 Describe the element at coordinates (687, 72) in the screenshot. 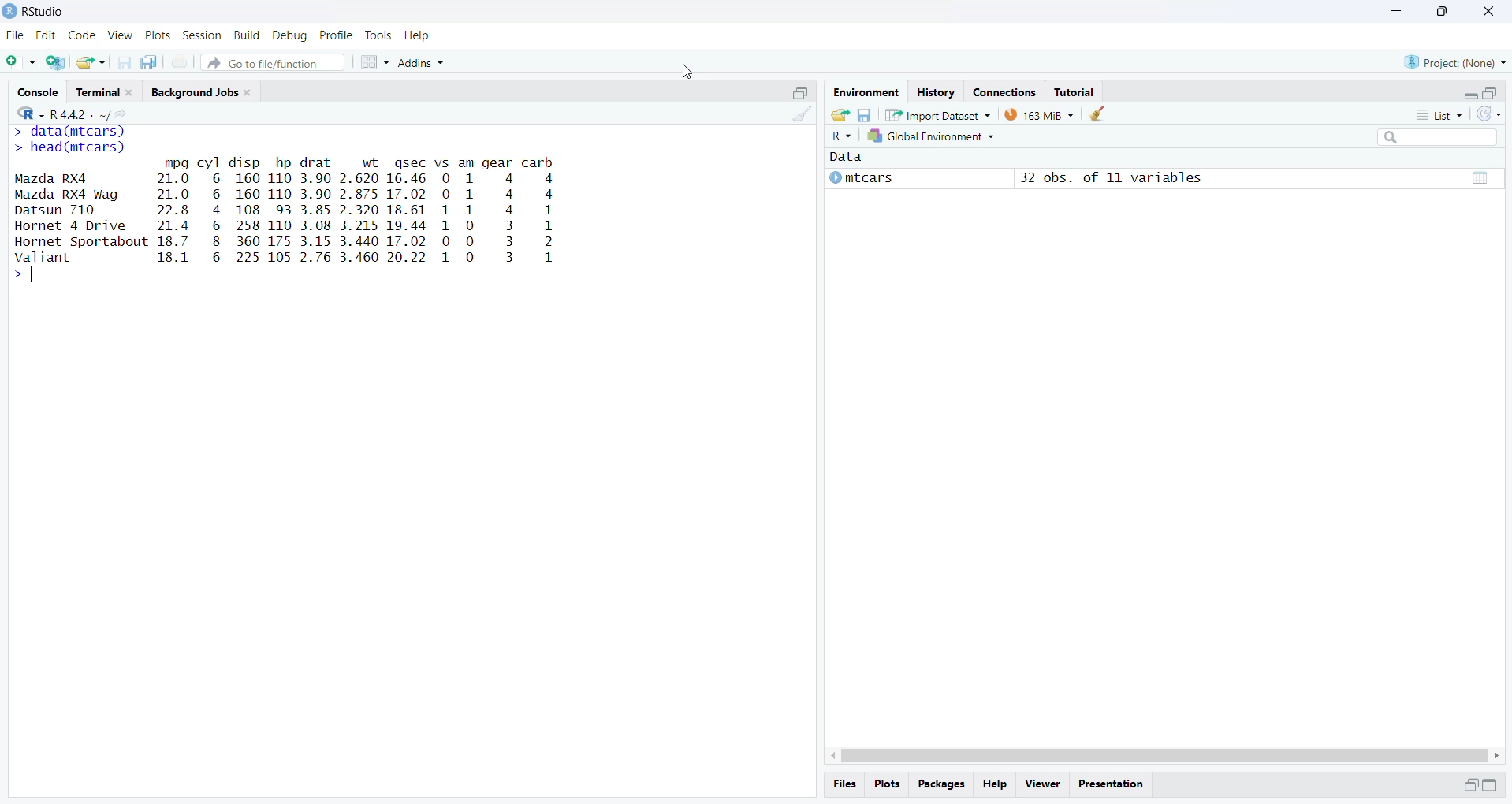

I see `cursor` at that location.